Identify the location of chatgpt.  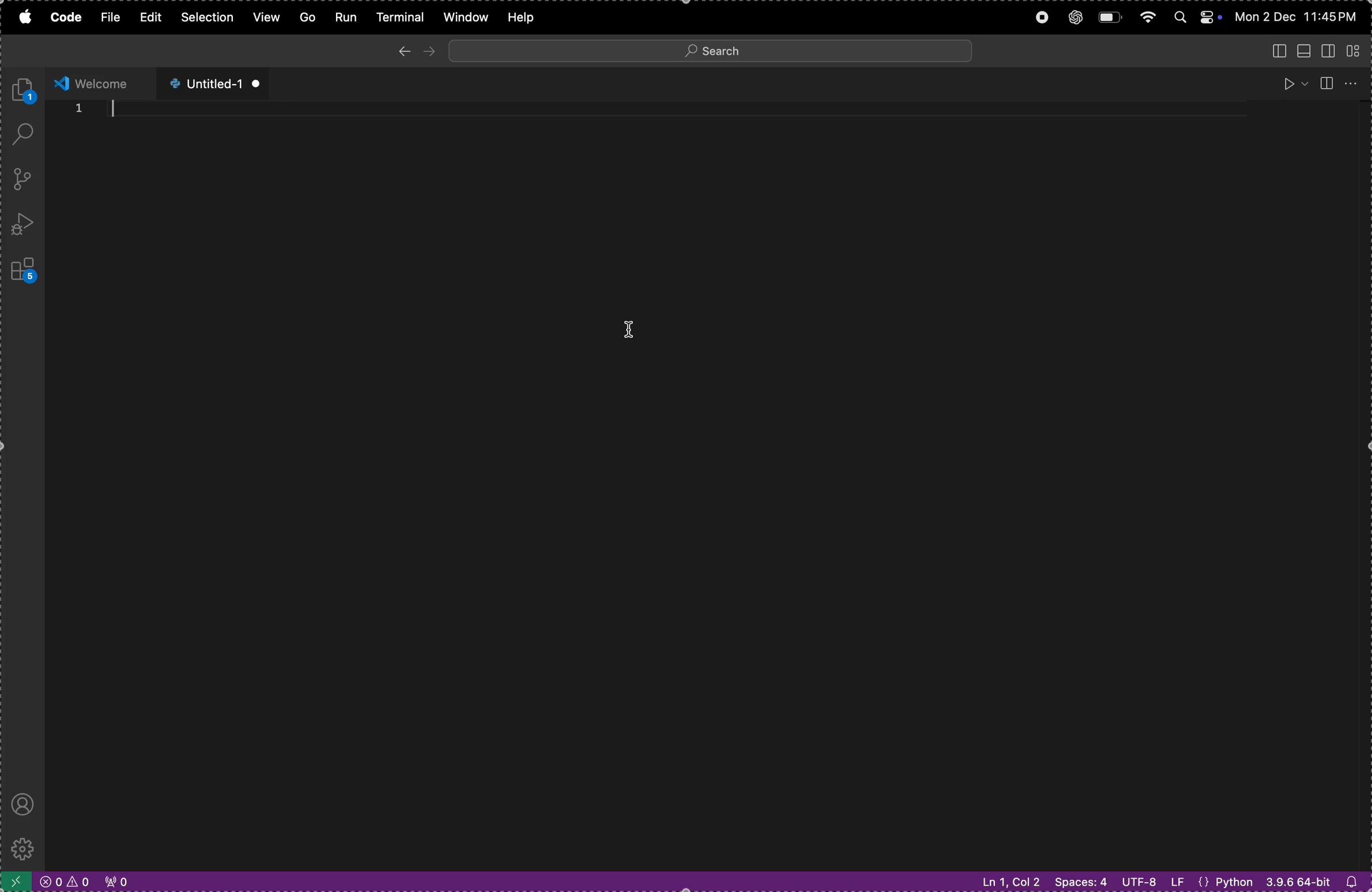
(1076, 16).